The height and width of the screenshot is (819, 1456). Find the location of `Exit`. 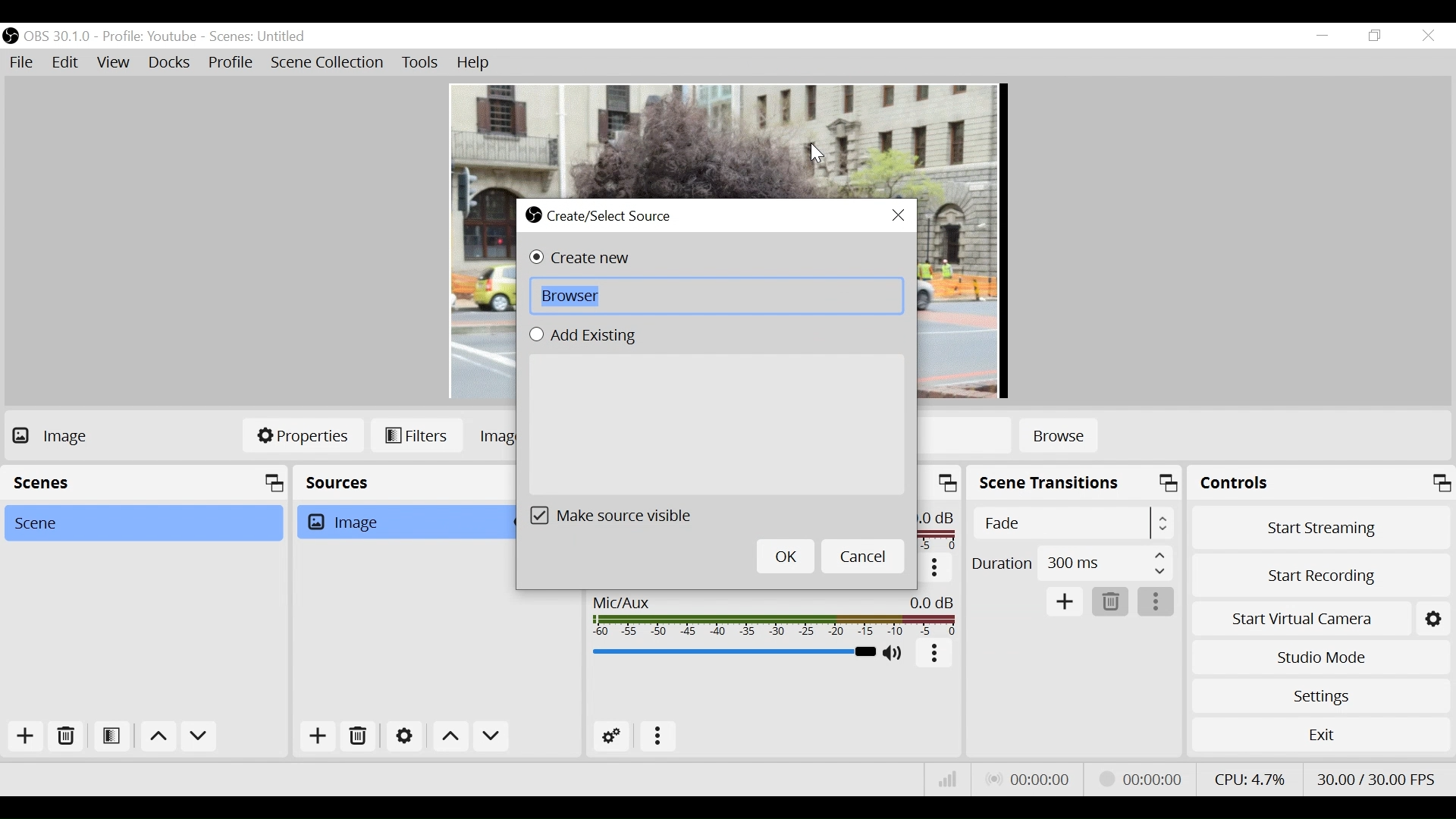

Exit is located at coordinates (1320, 733).